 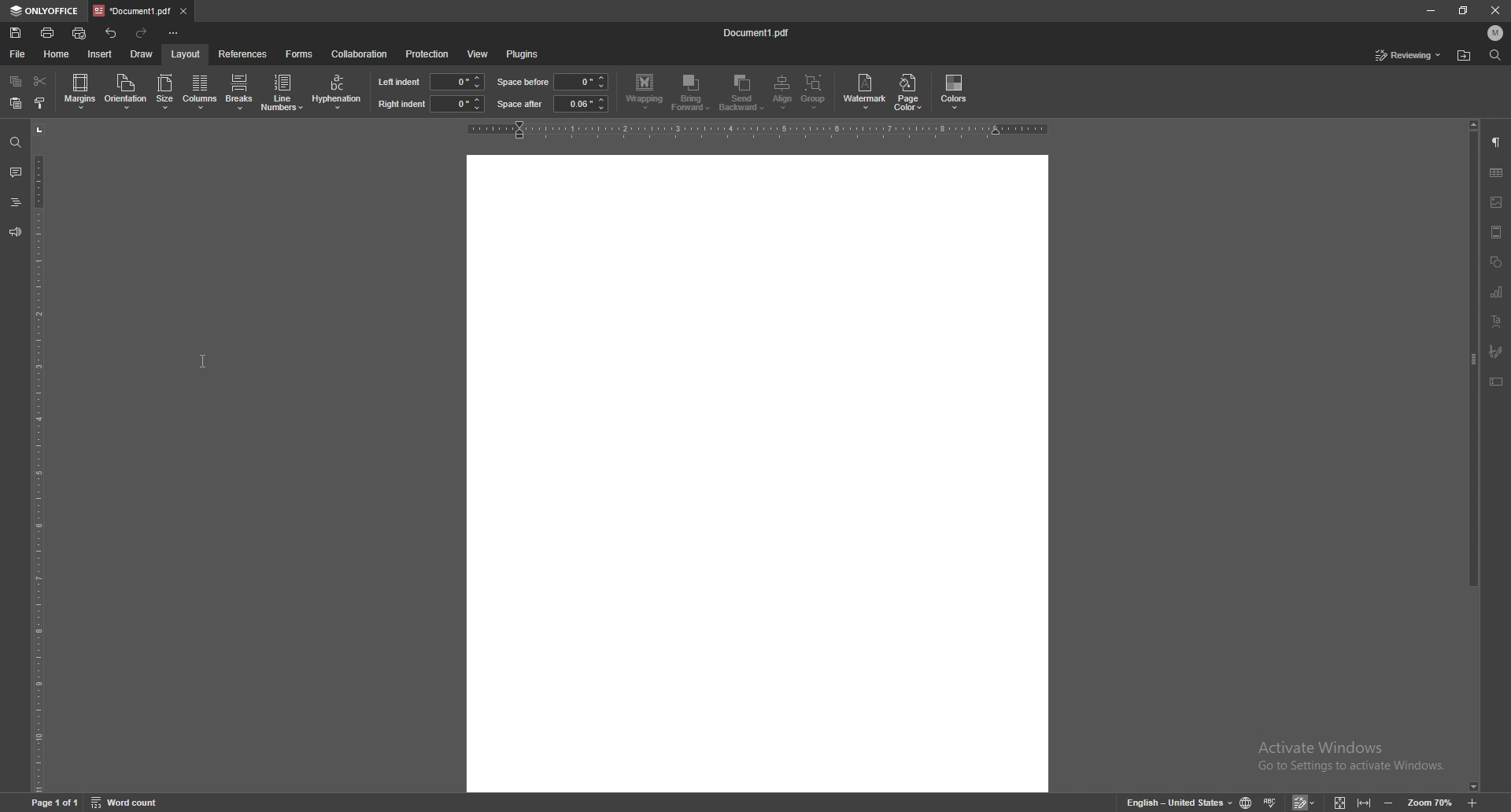 I want to click on close, so click(x=1496, y=9).